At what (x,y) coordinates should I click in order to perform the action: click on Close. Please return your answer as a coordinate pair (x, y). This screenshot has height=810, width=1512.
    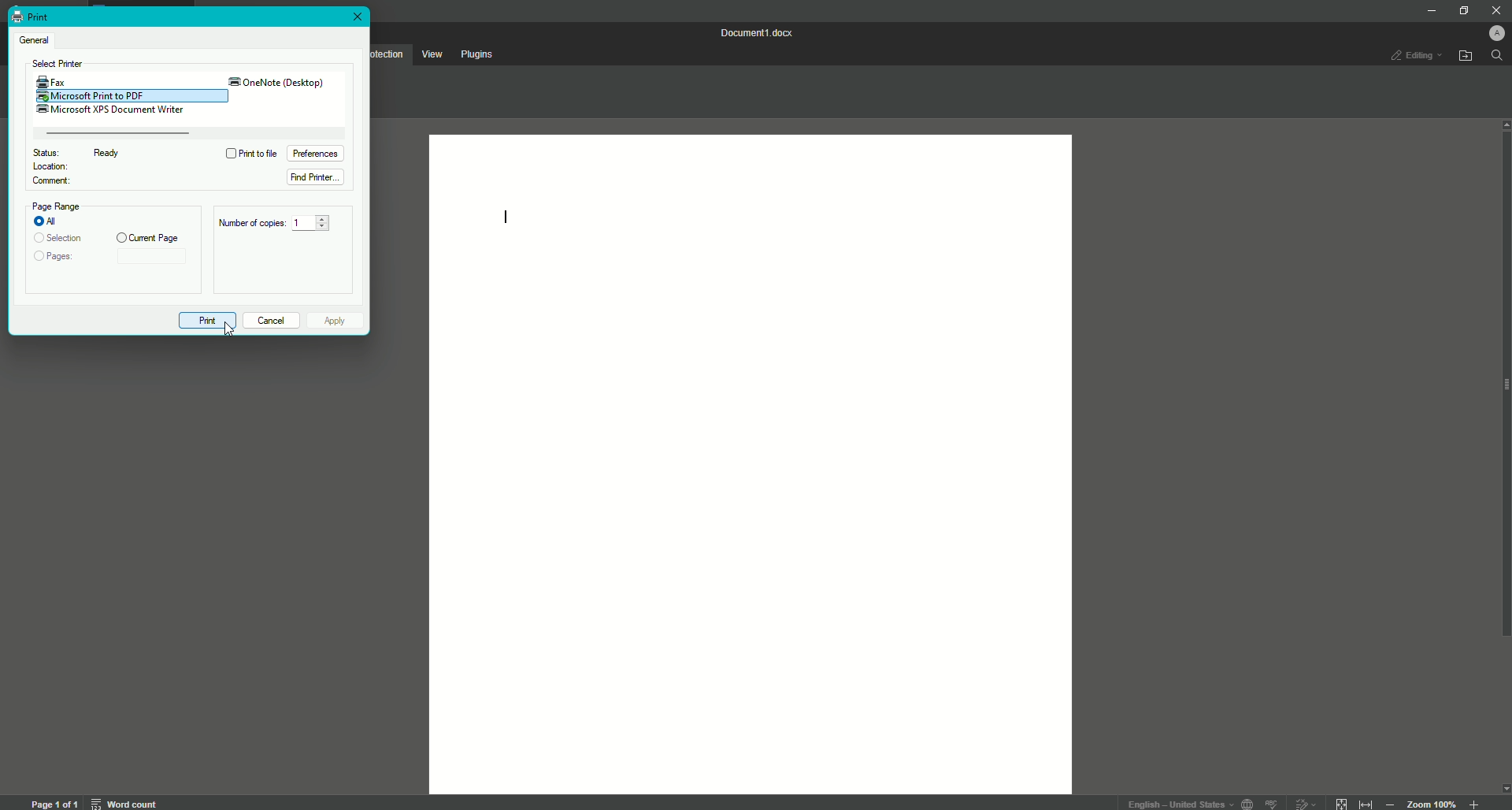
    Looking at the image, I should click on (1495, 11).